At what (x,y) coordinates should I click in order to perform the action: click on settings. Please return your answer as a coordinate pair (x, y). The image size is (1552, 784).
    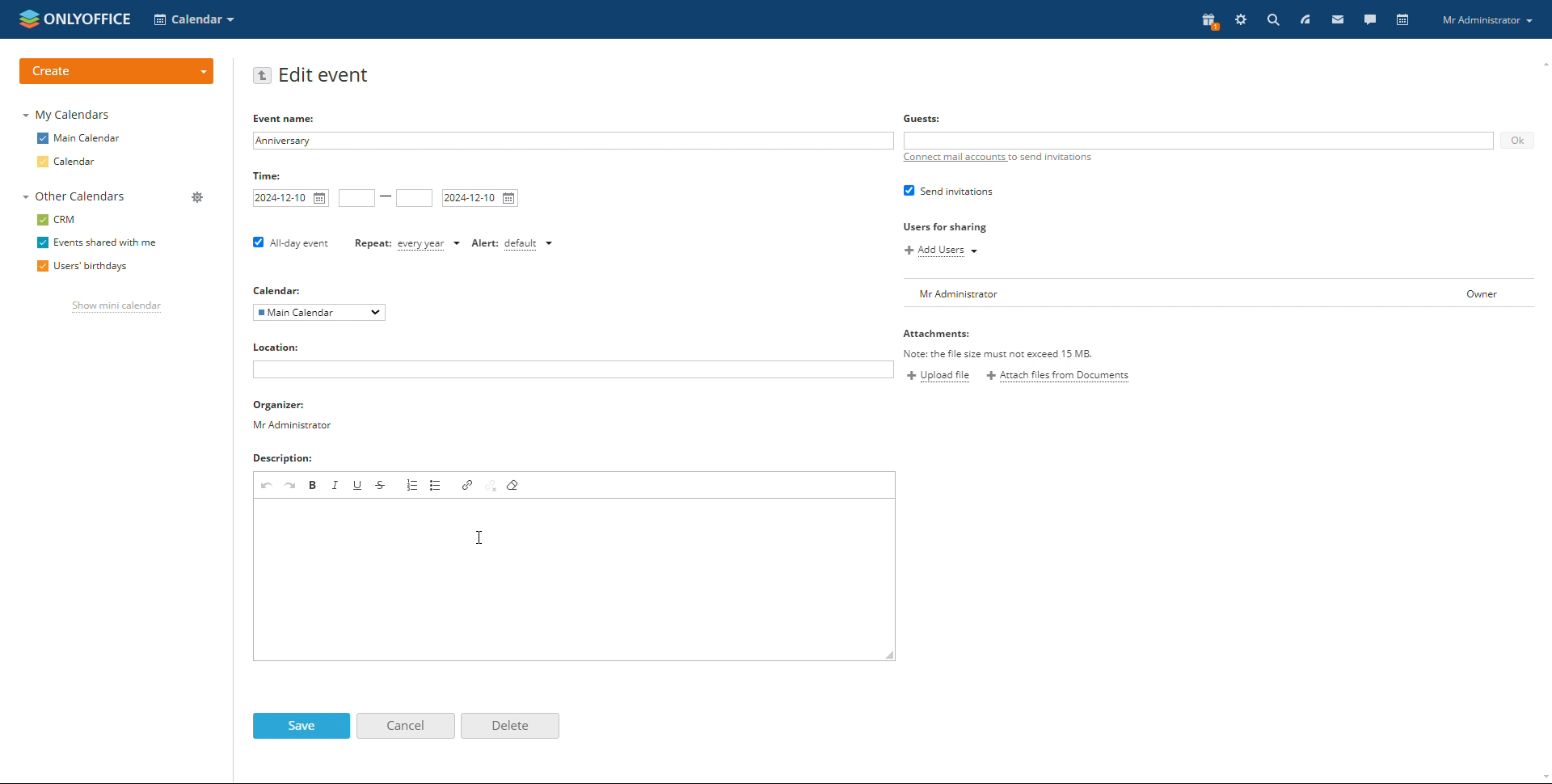
    Looking at the image, I should click on (1242, 19).